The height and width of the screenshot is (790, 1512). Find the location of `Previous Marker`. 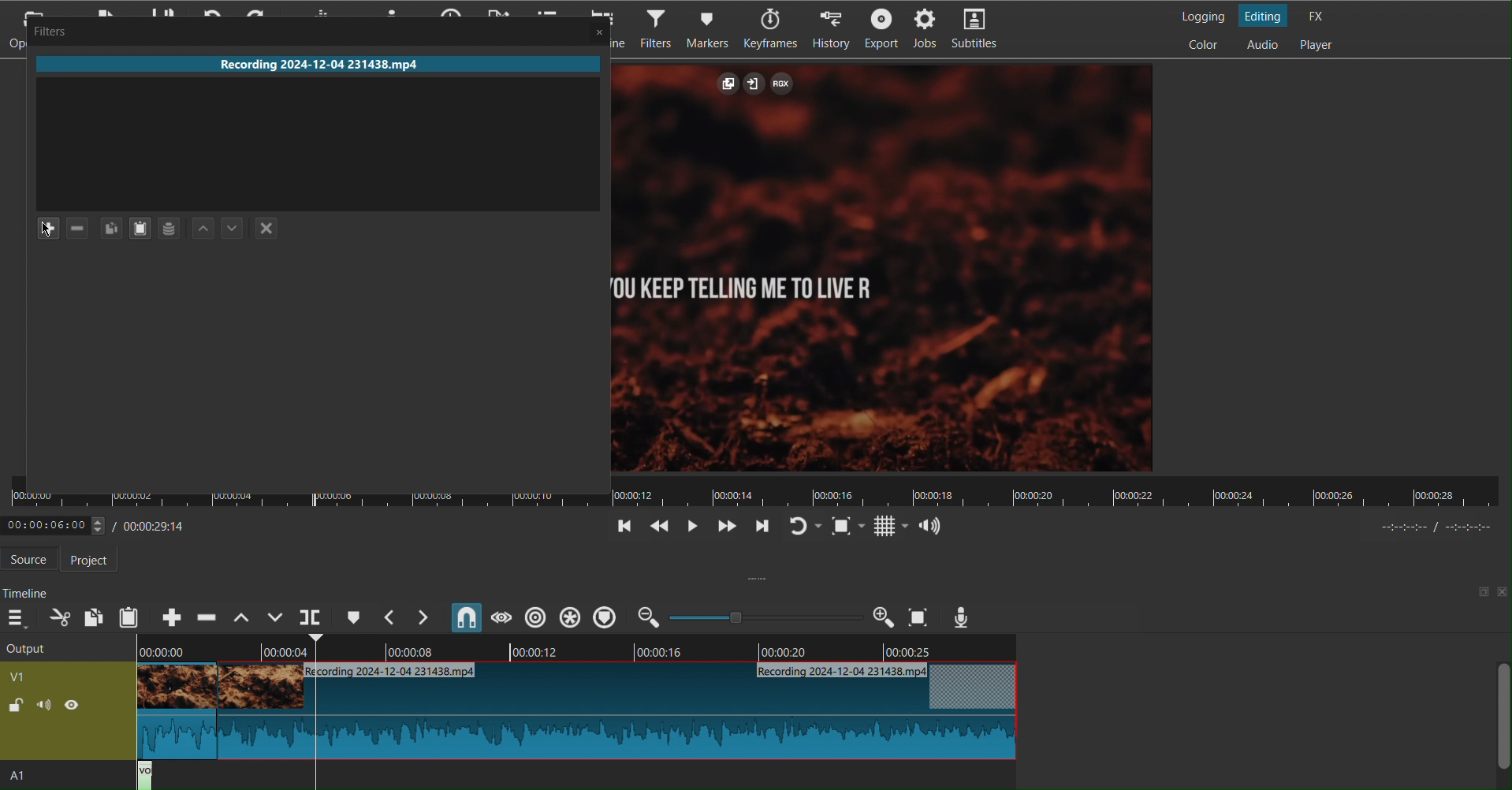

Previous Marker is located at coordinates (391, 617).